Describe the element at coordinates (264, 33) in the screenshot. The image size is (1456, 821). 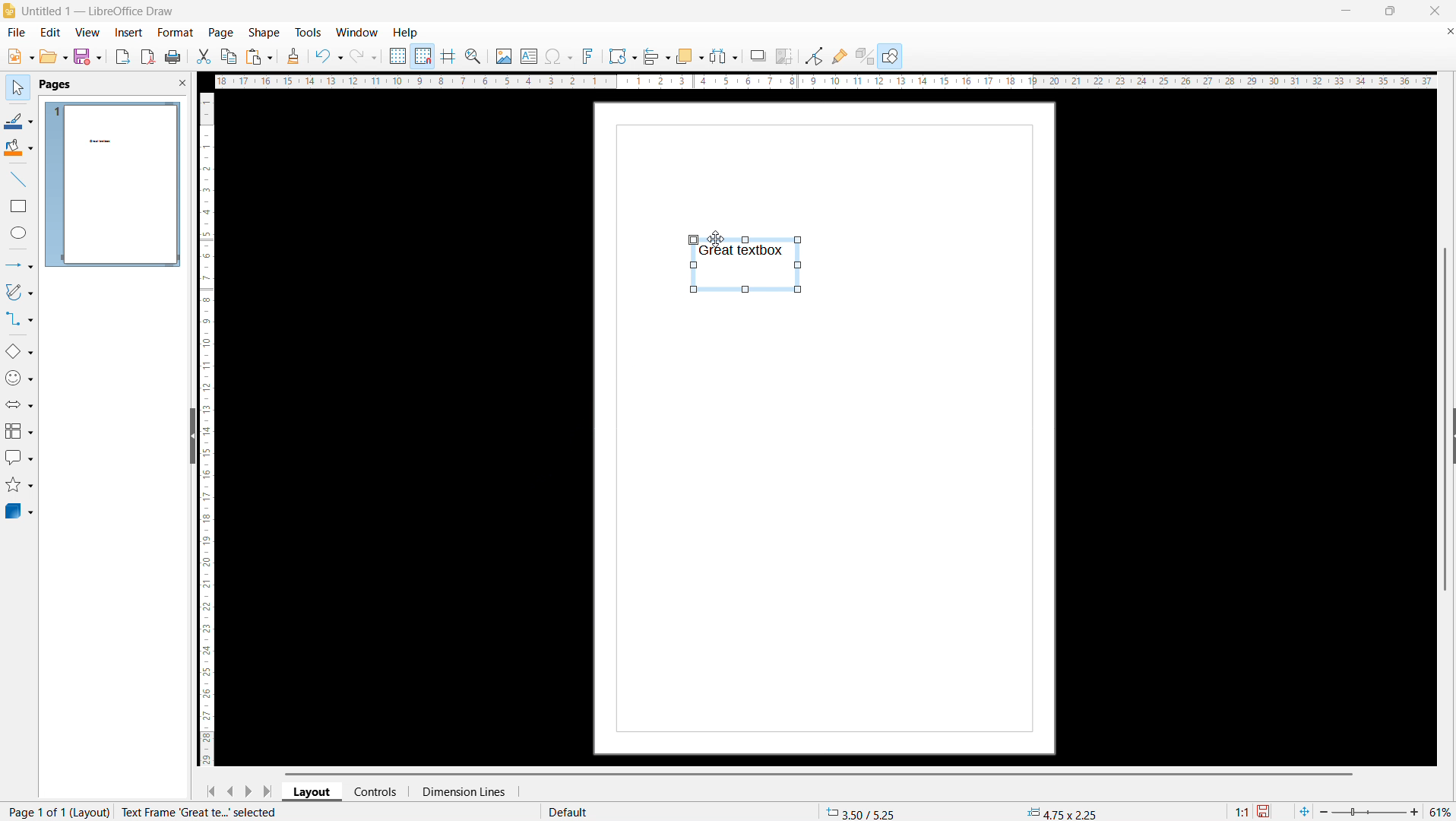
I see `shape` at that location.